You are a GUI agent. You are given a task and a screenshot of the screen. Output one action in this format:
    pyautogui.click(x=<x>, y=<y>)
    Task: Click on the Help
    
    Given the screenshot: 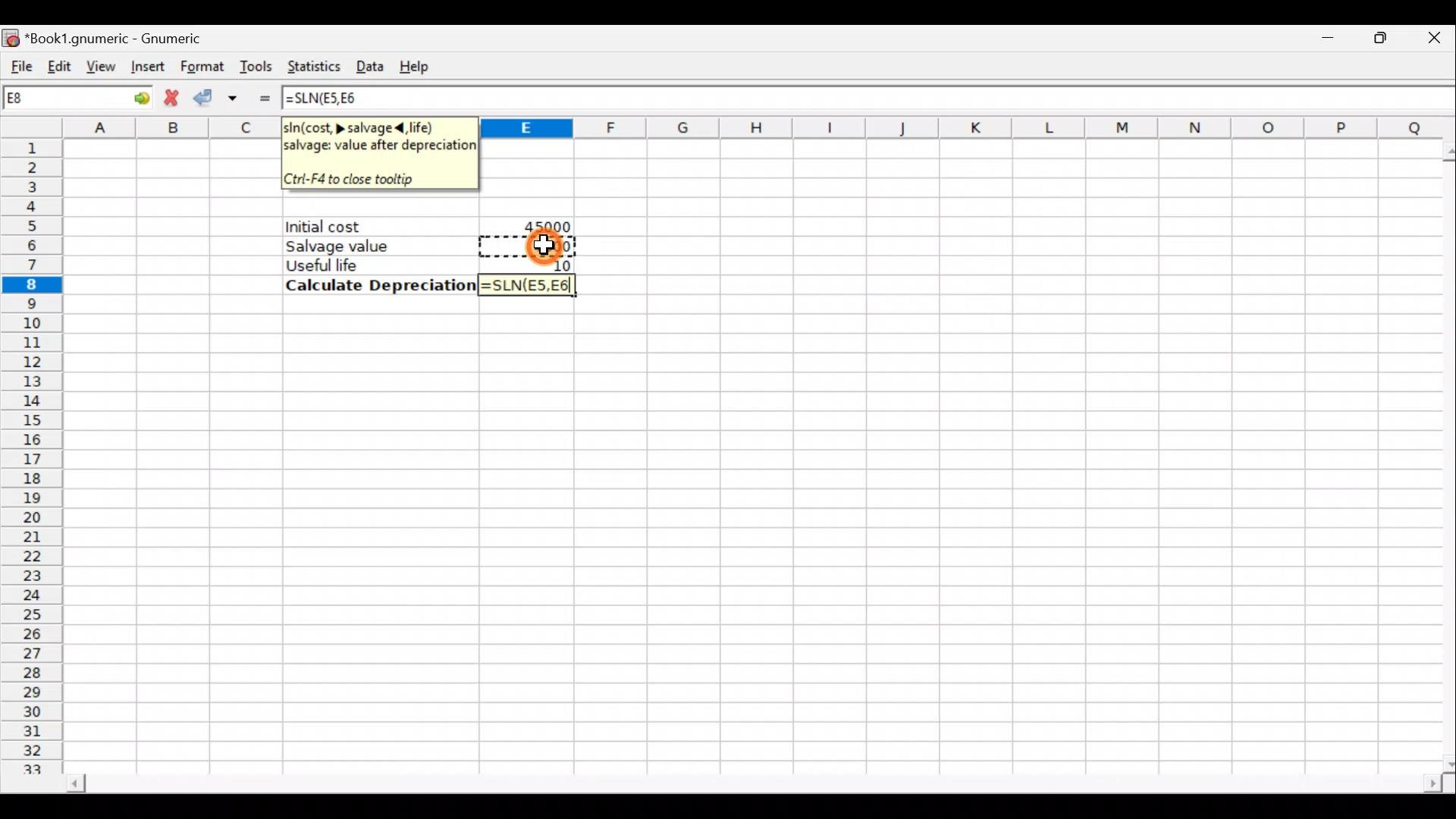 What is the action you would take?
    pyautogui.click(x=423, y=61)
    